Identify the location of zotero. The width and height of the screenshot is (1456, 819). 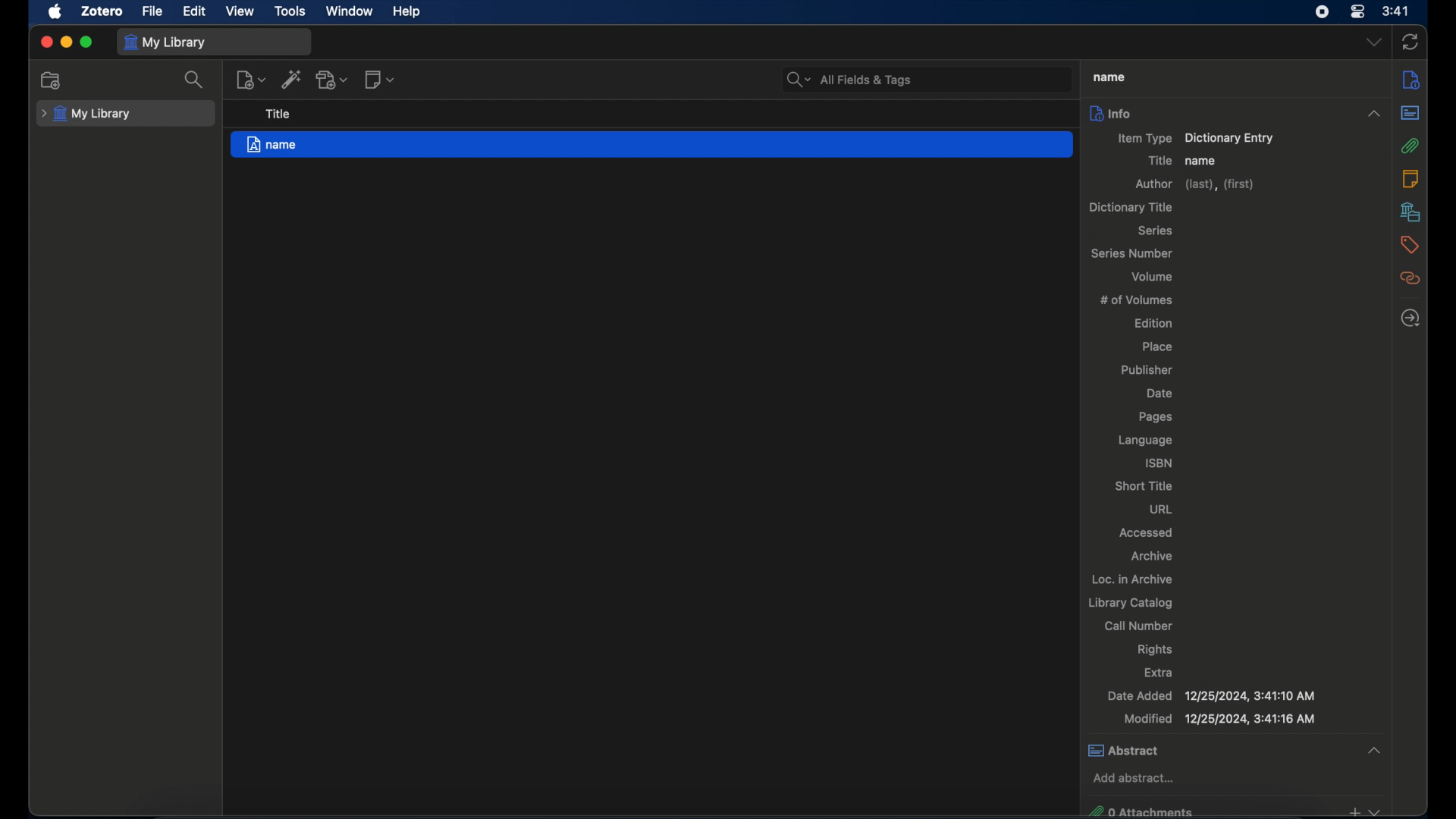
(103, 11).